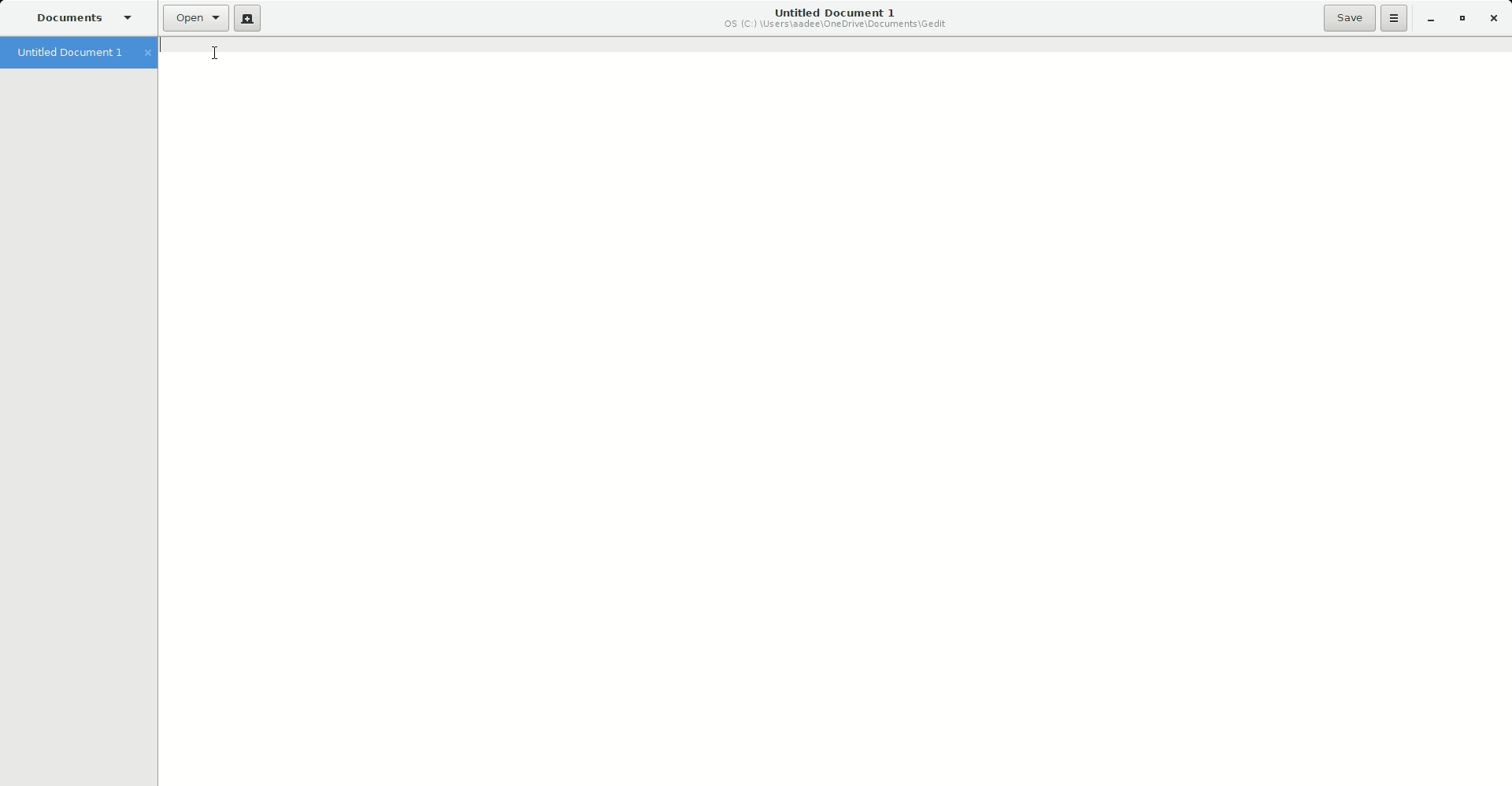 The width and height of the screenshot is (1512, 786). What do you see at coordinates (1429, 20) in the screenshot?
I see `Minimize` at bounding box center [1429, 20].